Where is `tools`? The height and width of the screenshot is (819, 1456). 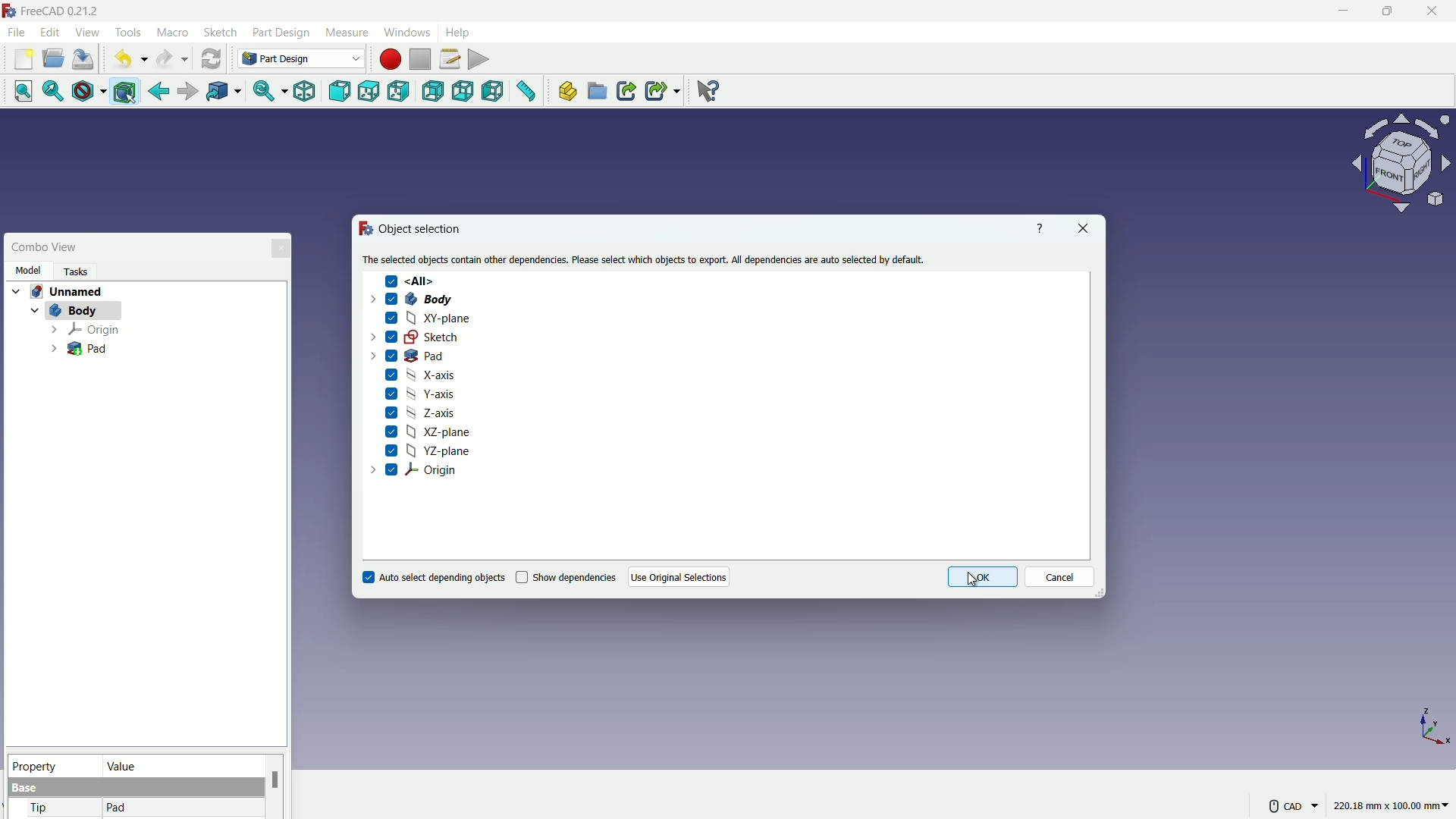 tools is located at coordinates (130, 33).